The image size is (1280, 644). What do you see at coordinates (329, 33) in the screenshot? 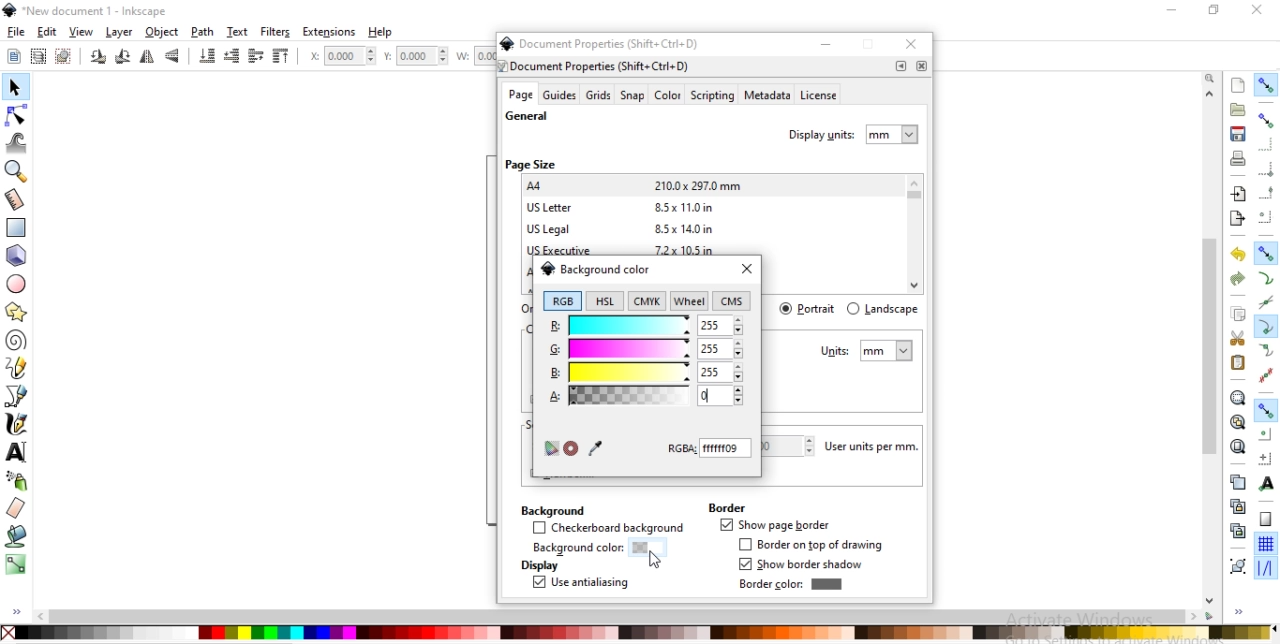
I see `extensions` at bounding box center [329, 33].